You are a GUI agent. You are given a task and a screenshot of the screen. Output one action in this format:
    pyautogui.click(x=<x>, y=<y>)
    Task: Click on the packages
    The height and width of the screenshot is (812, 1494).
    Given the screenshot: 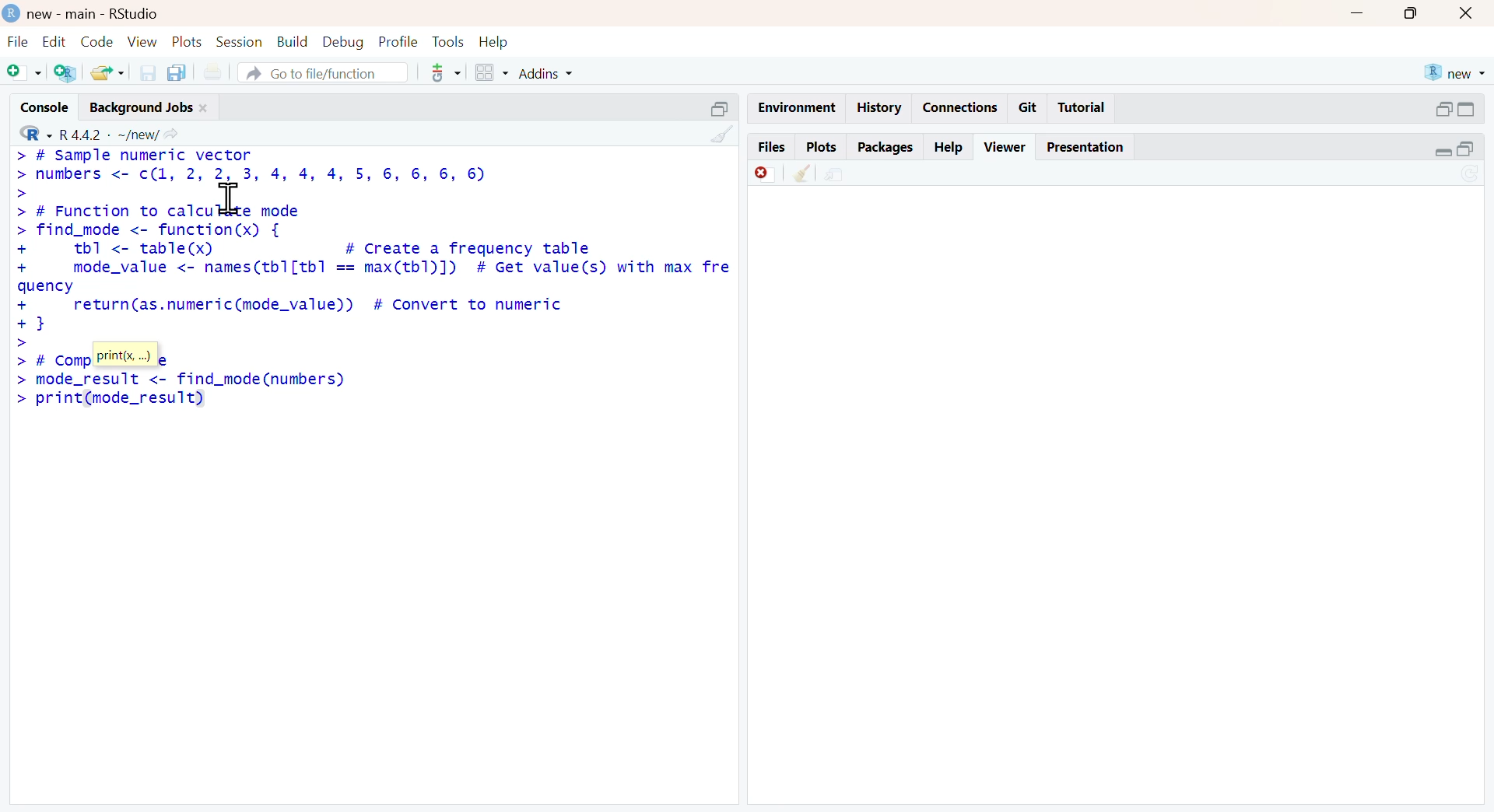 What is the action you would take?
    pyautogui.click(x=887, y=149)
    